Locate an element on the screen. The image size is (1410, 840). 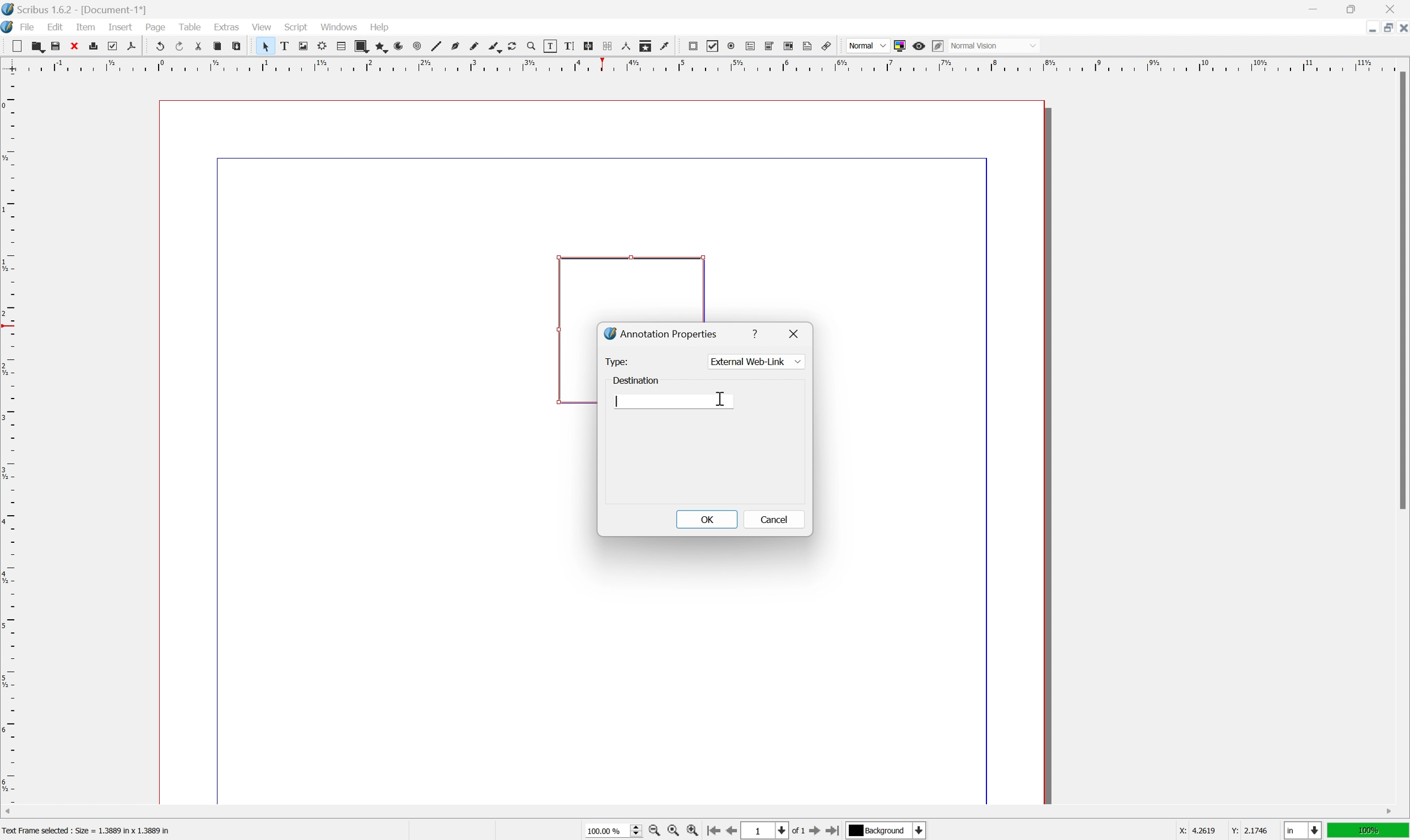
print is located at coordinates (93, 45).